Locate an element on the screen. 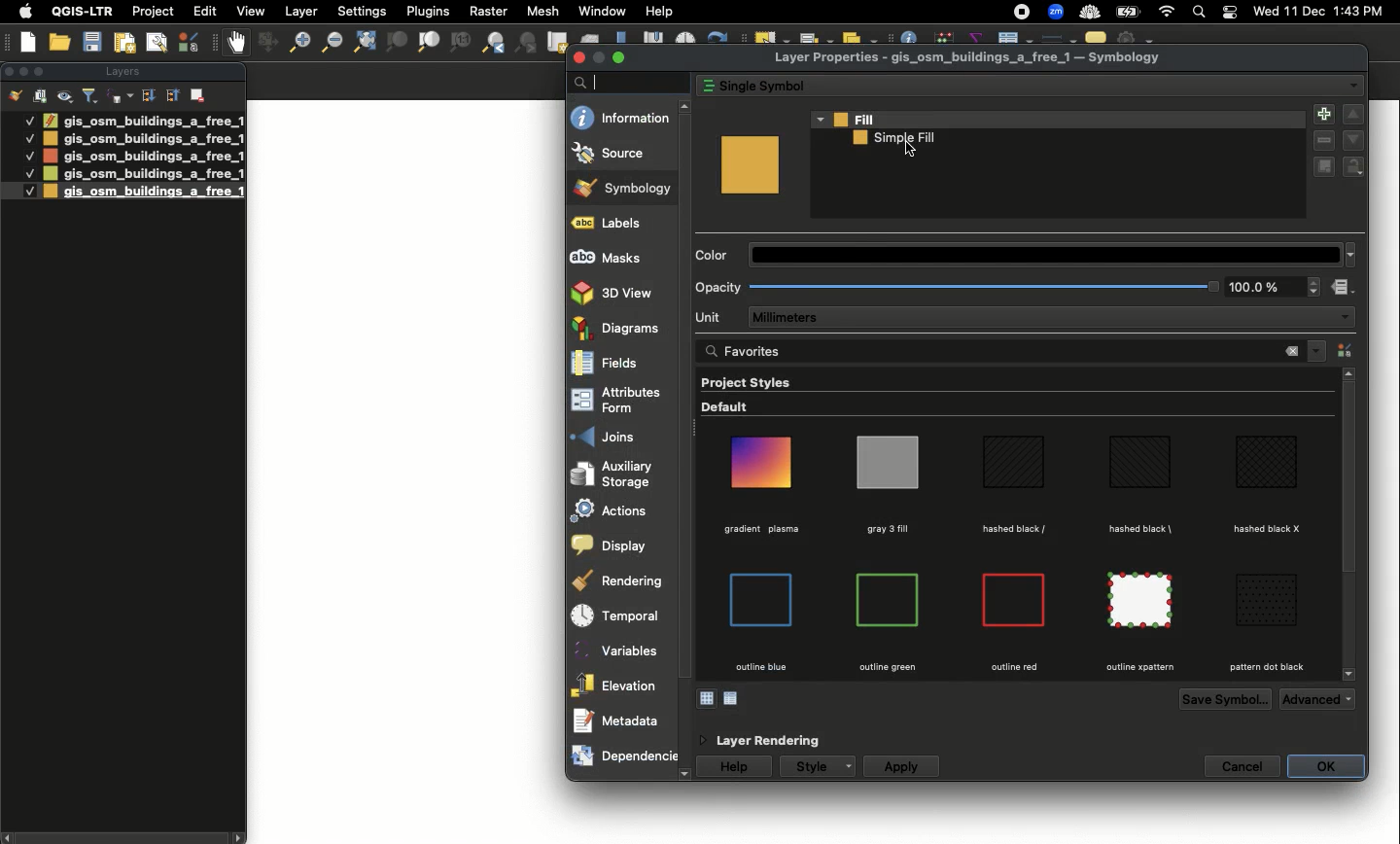 Image resolution: width=1400 pixels, height=844 pixels. Variables is located at coordinates (623, 651).